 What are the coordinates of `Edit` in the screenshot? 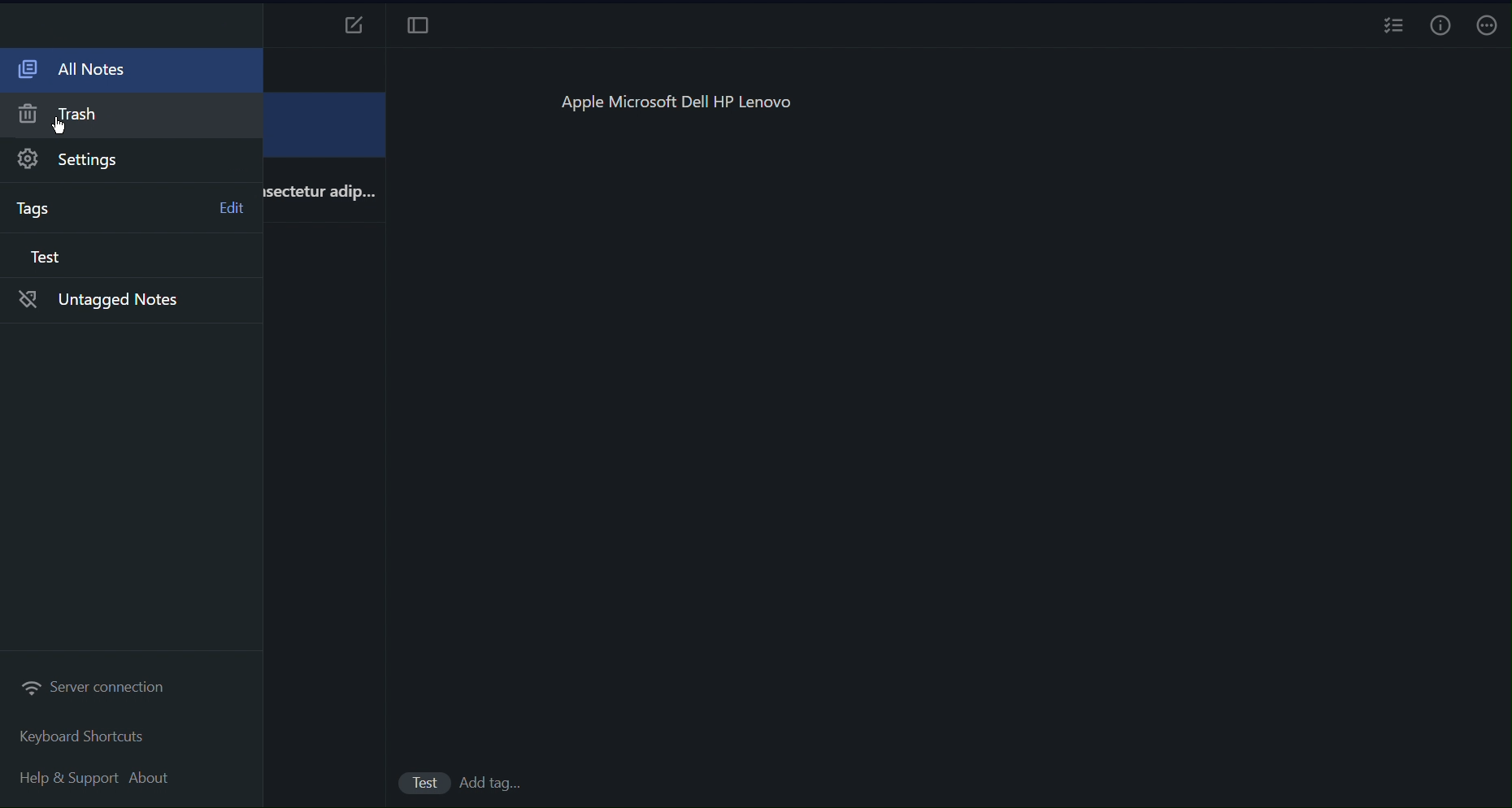 It's located at (230, 208).